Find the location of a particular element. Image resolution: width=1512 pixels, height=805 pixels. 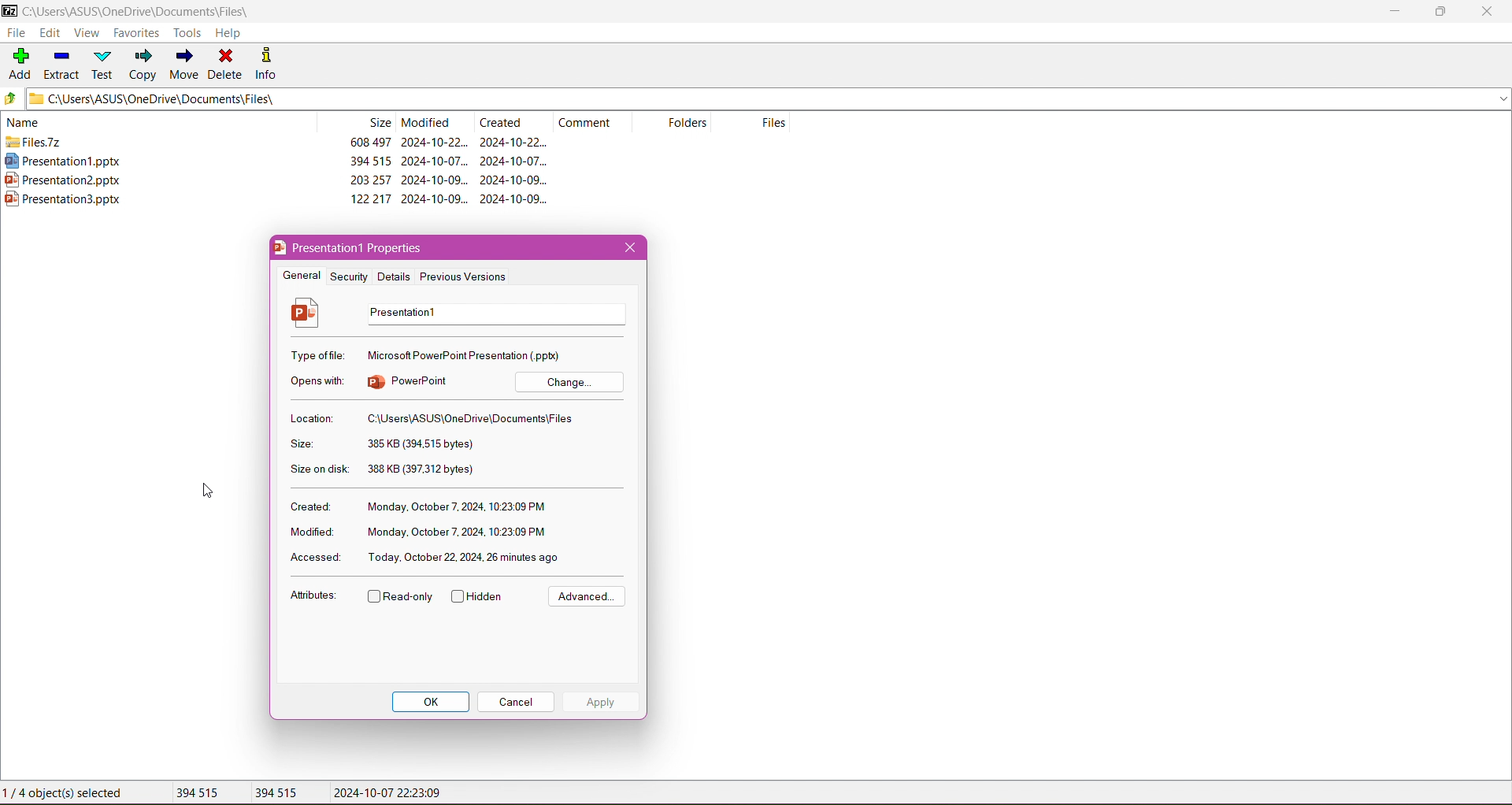

expand is located at coordinates (1503, 98).